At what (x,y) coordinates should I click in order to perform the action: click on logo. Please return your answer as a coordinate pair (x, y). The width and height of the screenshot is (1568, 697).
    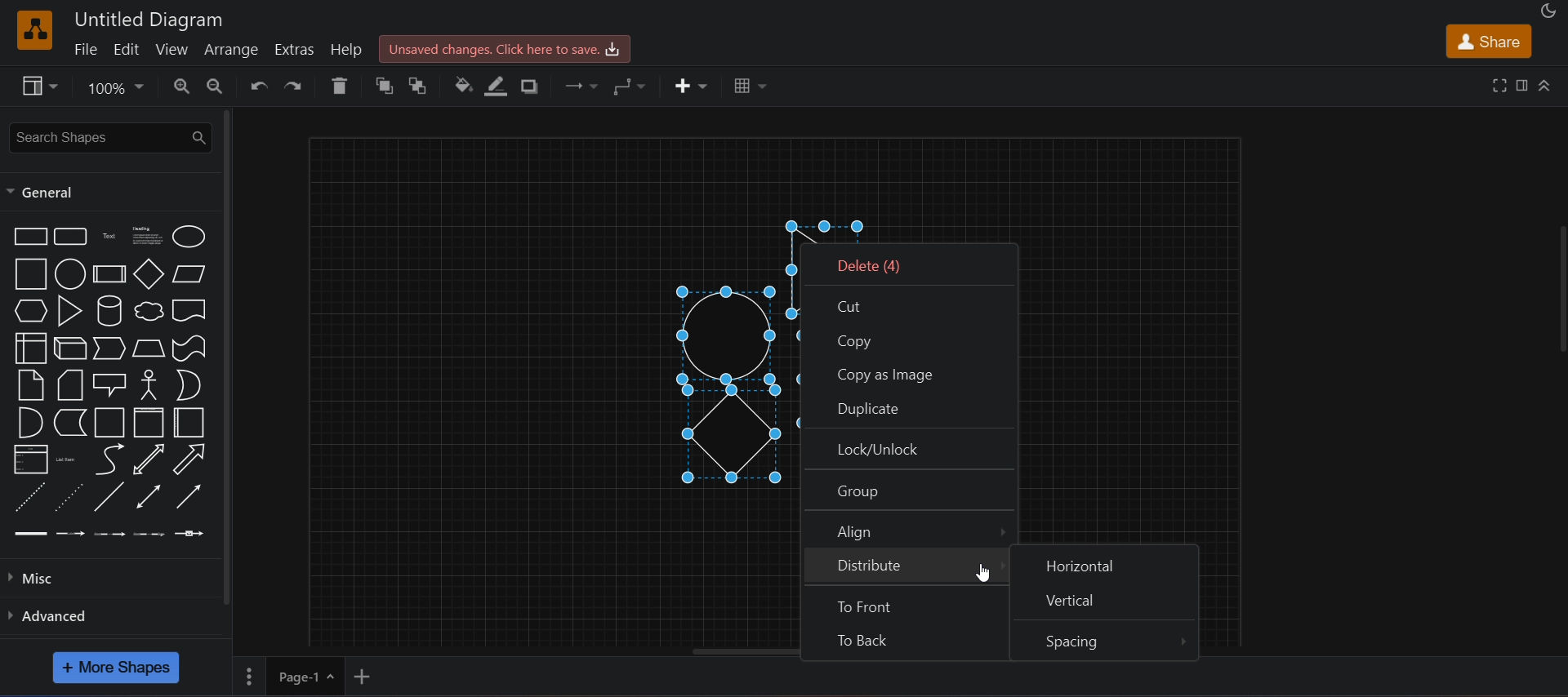
    Looking at the image, I should click on (35, 29).